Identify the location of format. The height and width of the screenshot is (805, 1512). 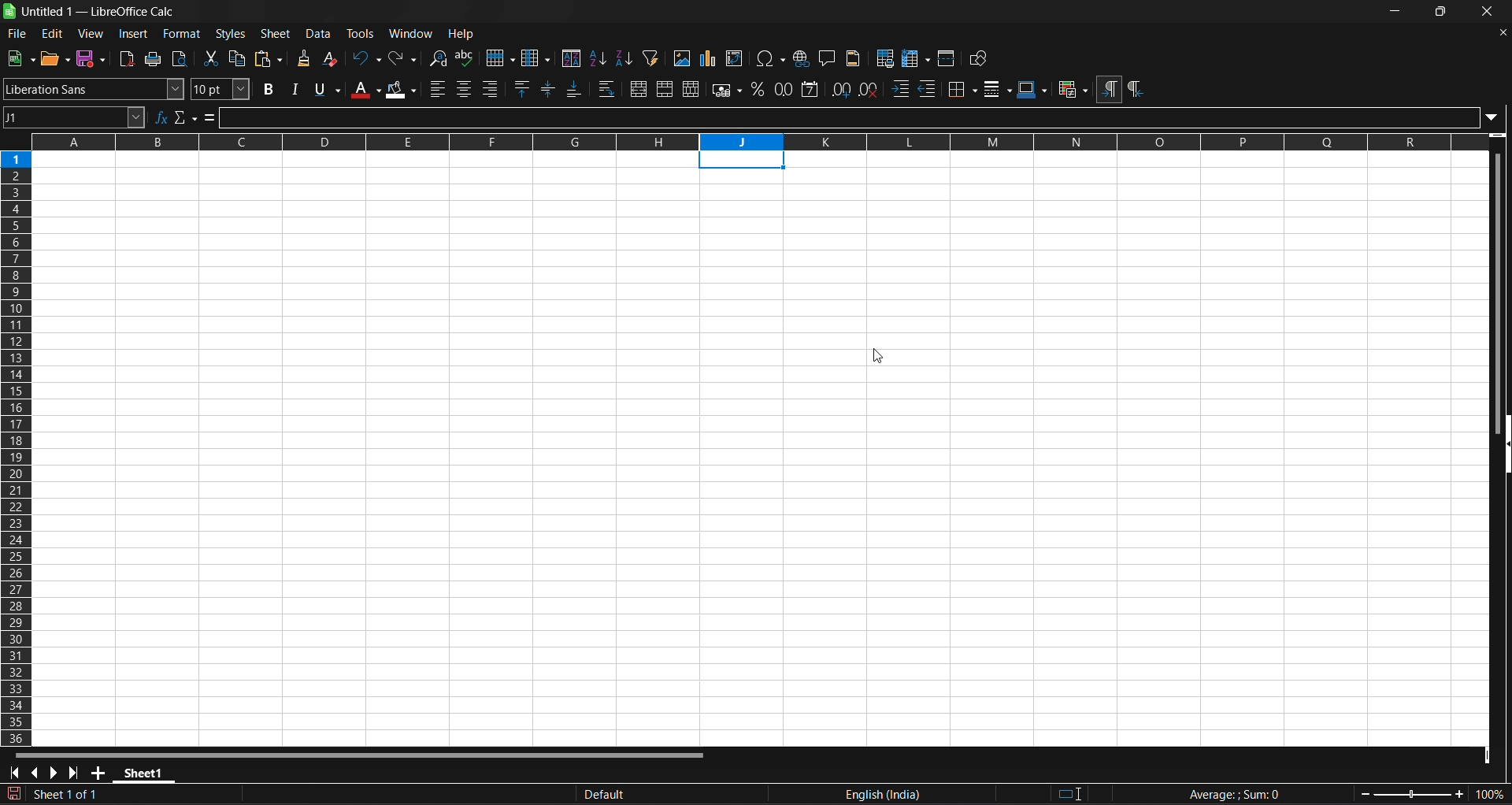
(181, 34).